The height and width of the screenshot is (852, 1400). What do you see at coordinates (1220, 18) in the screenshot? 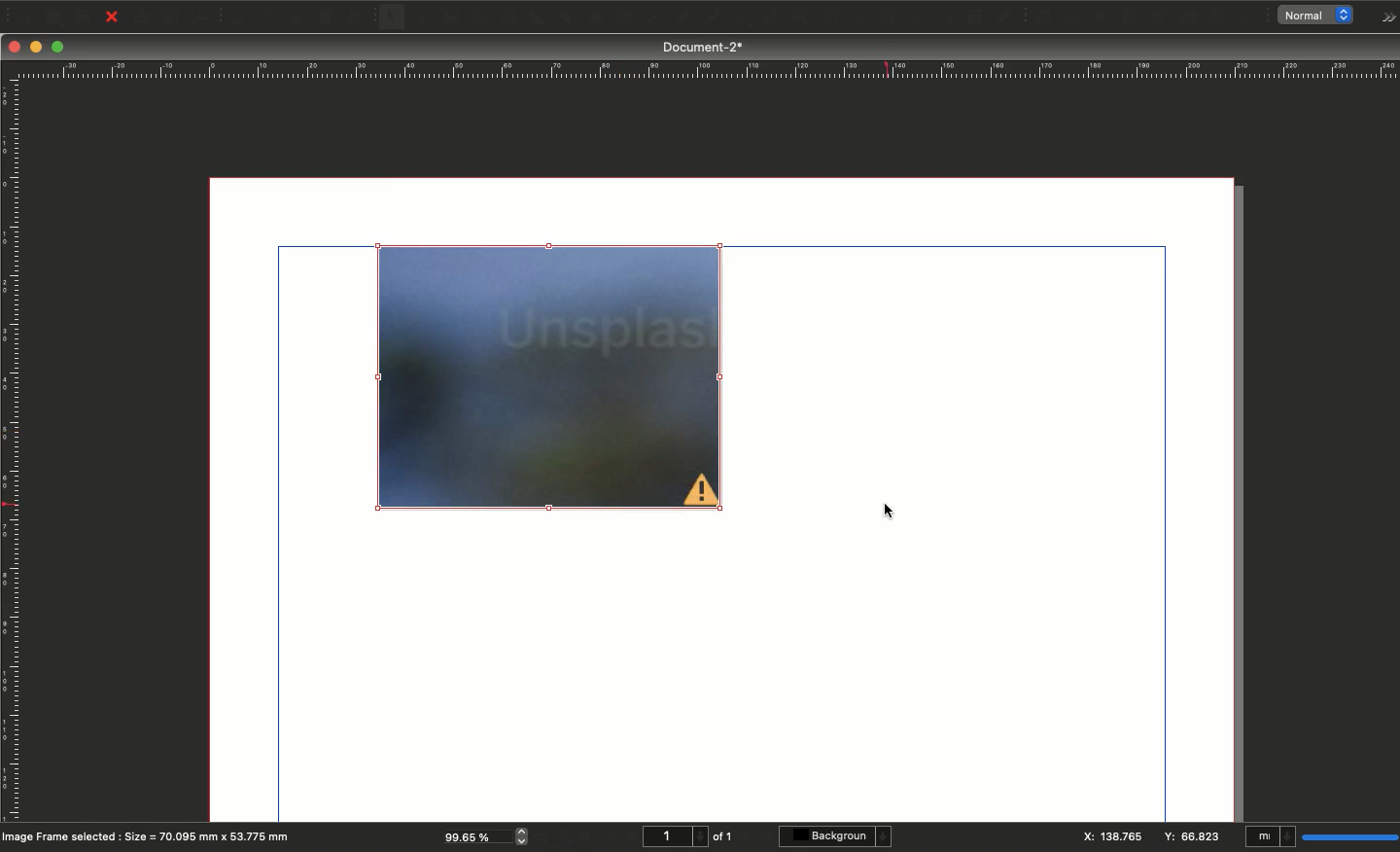
I see `Text annotation` at bounding box center [1220, 18].